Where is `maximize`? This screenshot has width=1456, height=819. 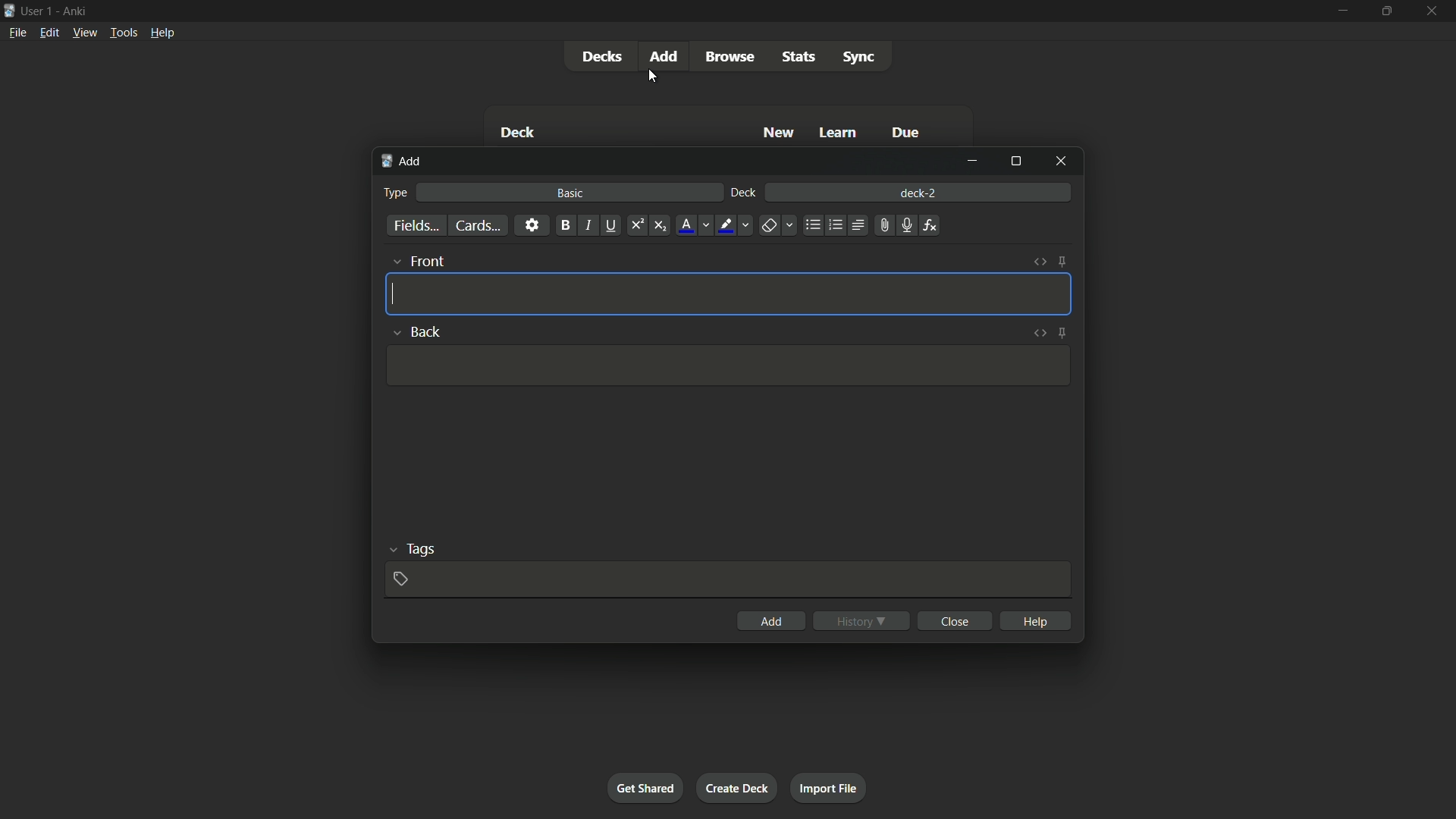
maximize is located at coordinates (1017, 160).